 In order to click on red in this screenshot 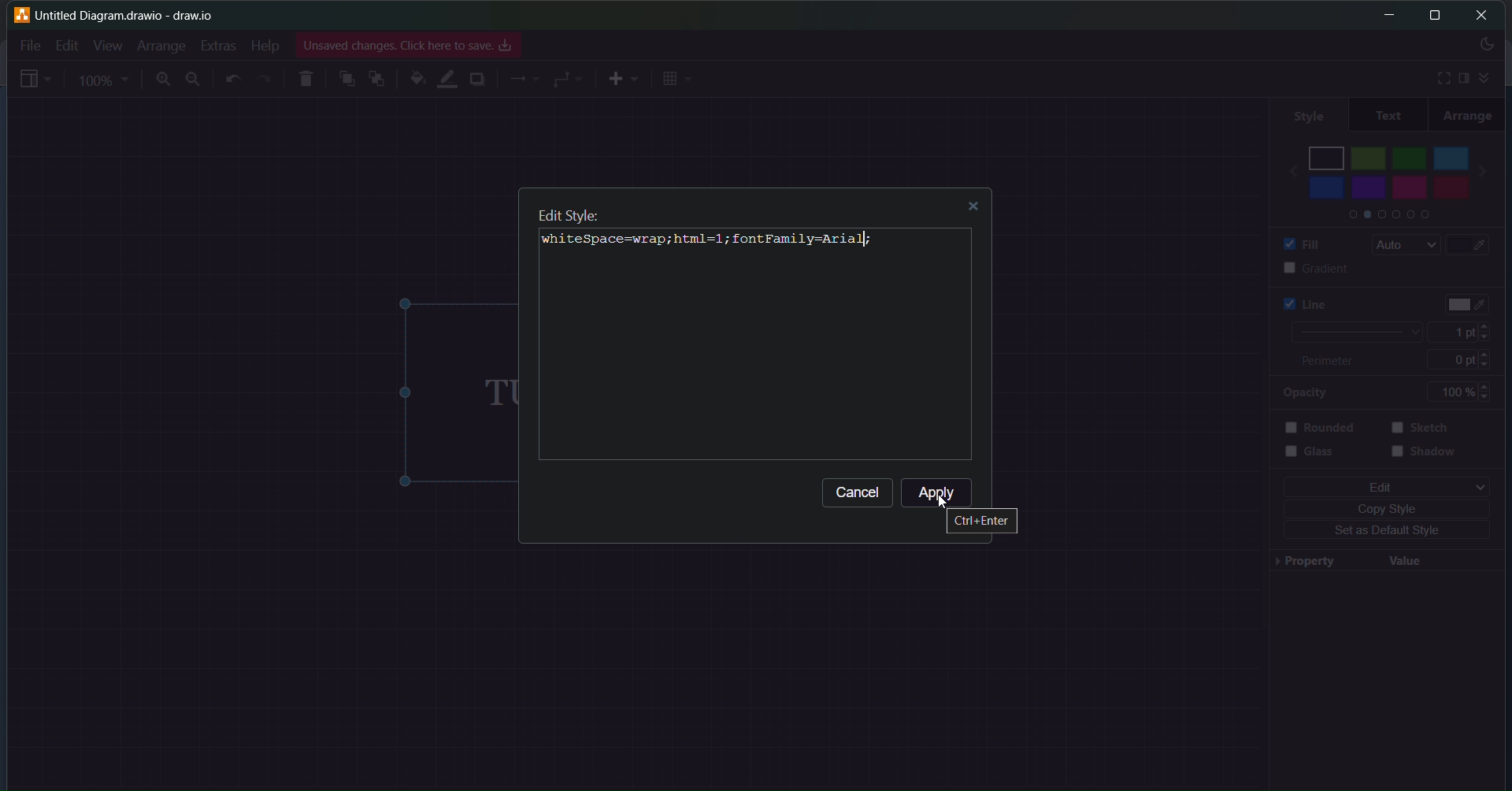, I will do `click(1449, 189)`.